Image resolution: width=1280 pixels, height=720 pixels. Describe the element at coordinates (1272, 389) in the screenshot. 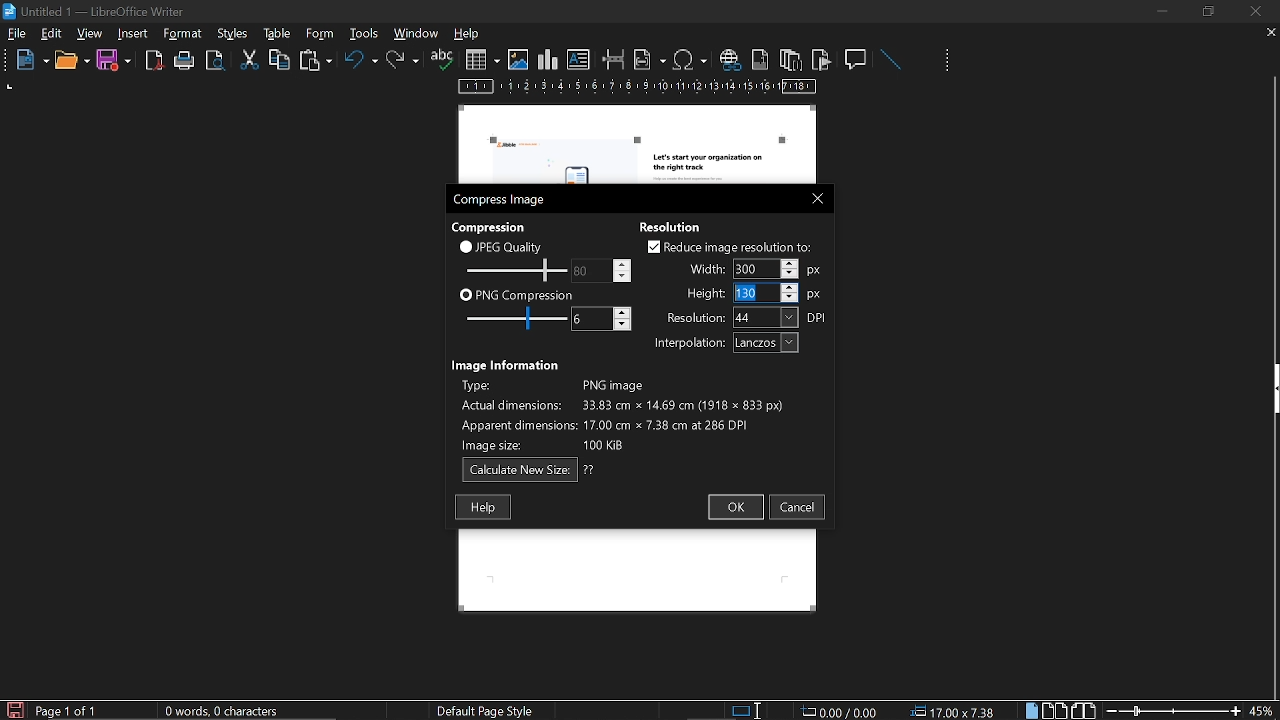

I see `side bar menu` at that location.